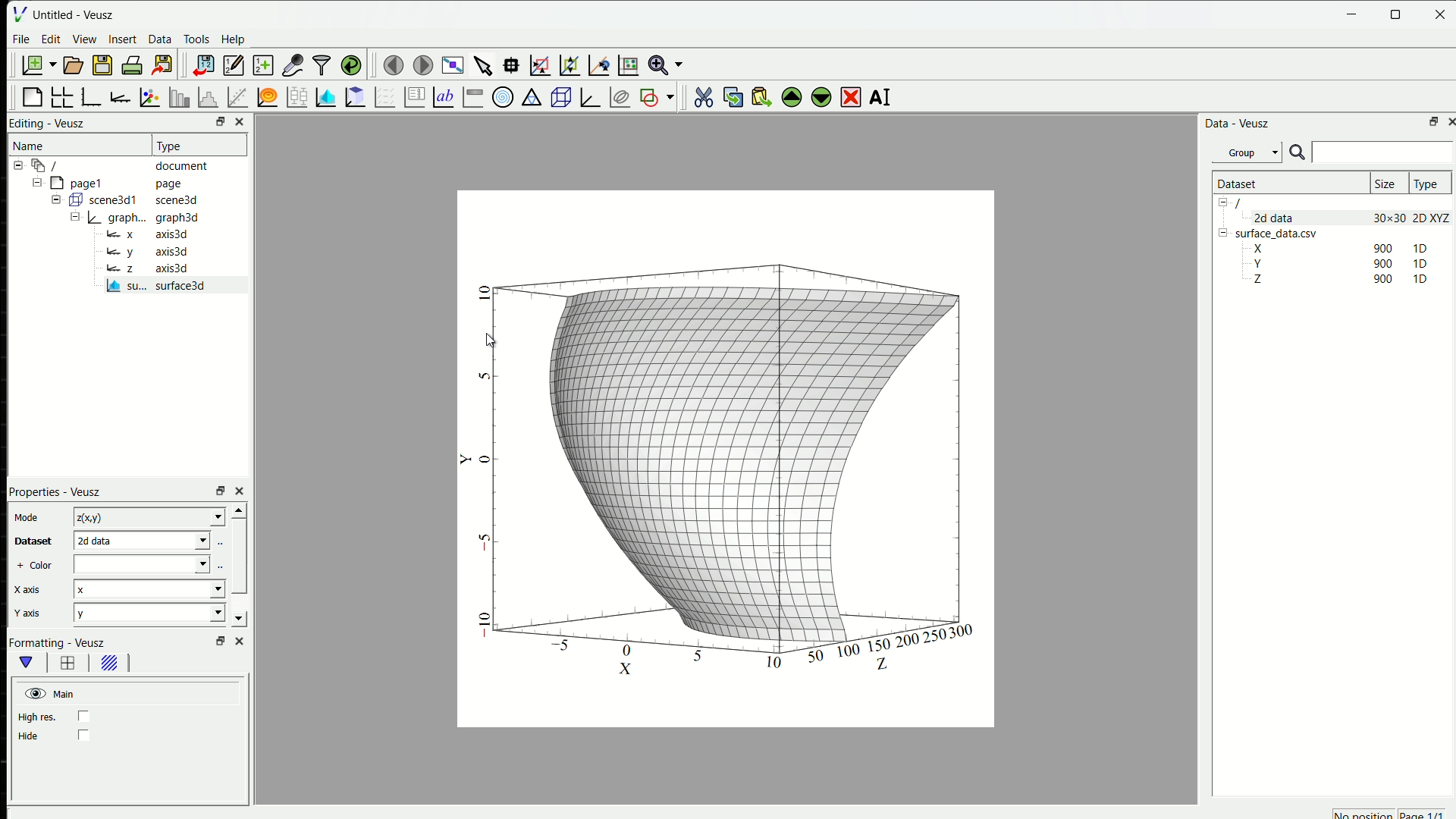 Image resolution: width=1456 pixels, height=819 pixels. Describe the element at coordinates (513, 65) in the screenshot. I see `read data points on the graph` at that location.